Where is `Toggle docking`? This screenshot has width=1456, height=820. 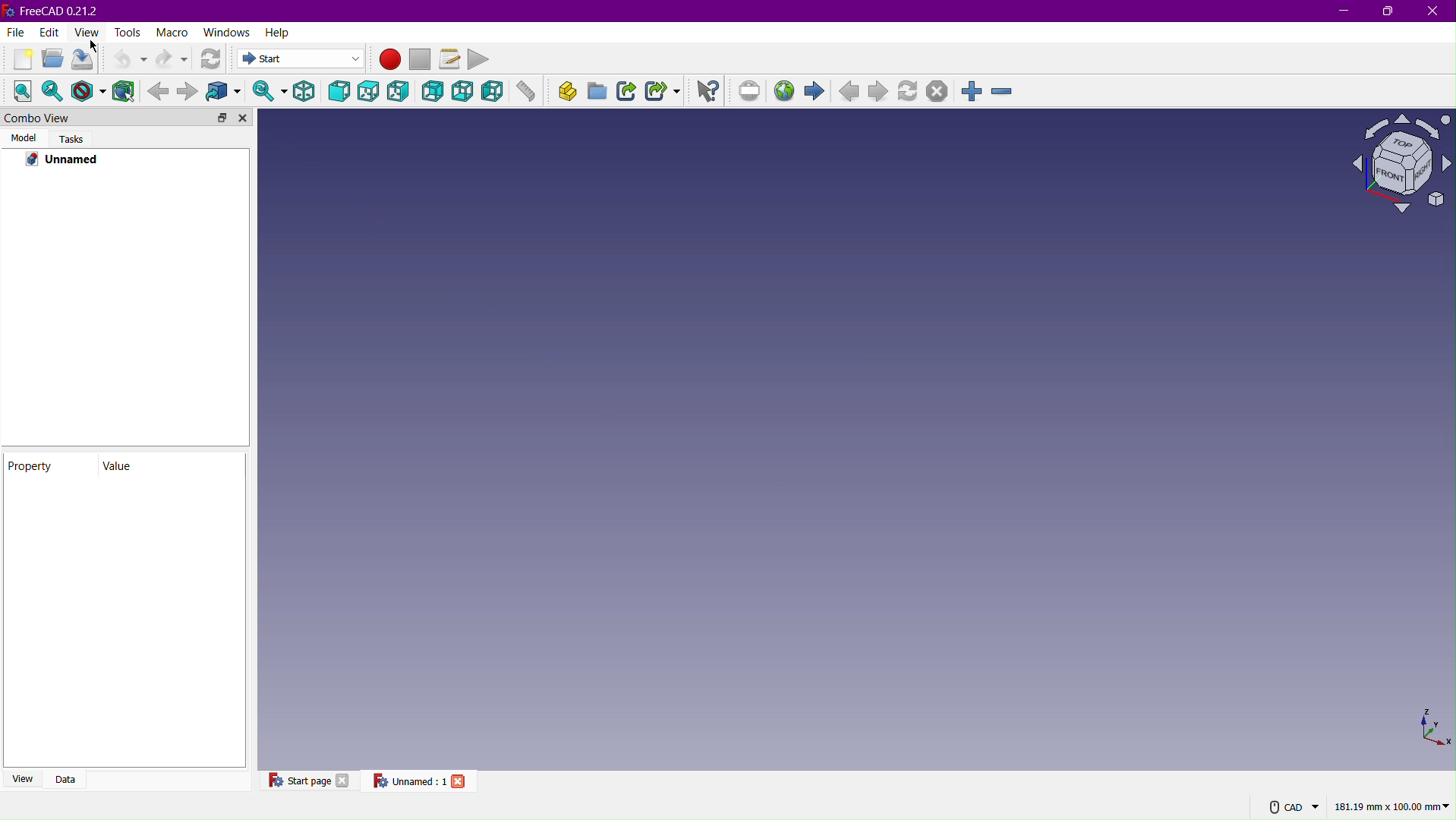 Toggle docking is located at coordinates (225, 121).